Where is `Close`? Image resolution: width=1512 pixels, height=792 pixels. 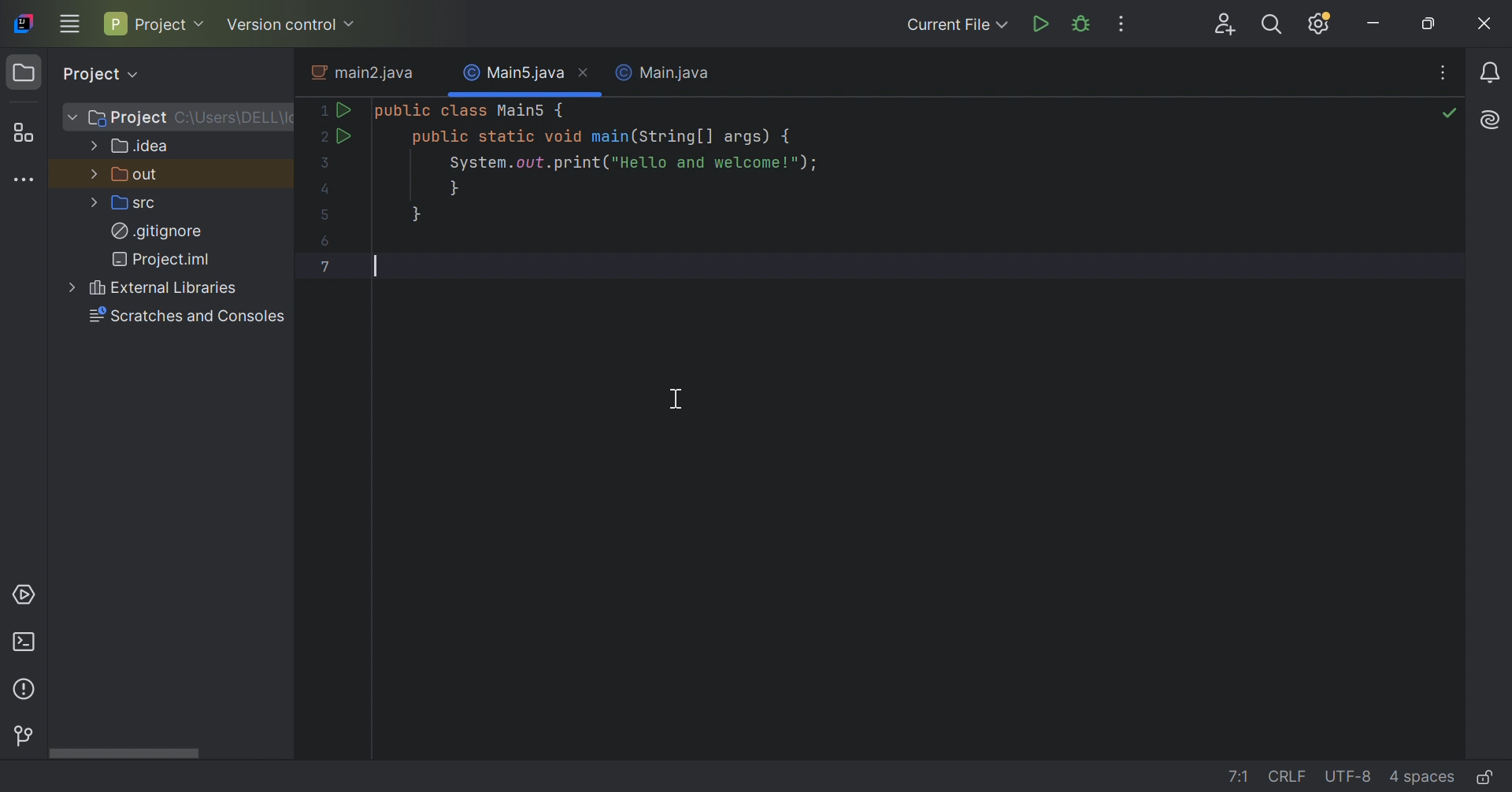
Close is located at coordinates (585, 74).